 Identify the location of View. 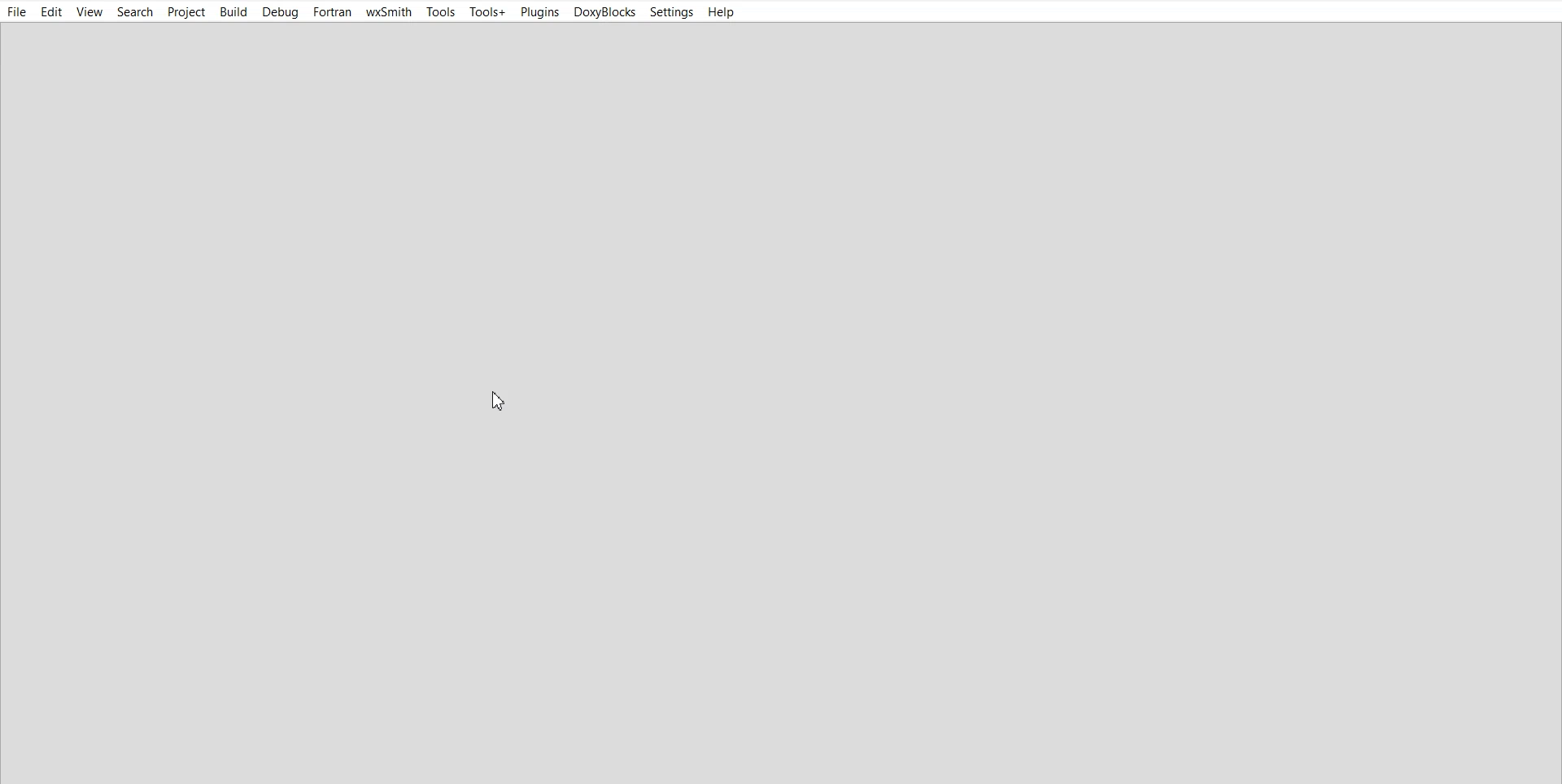
(89, 12).